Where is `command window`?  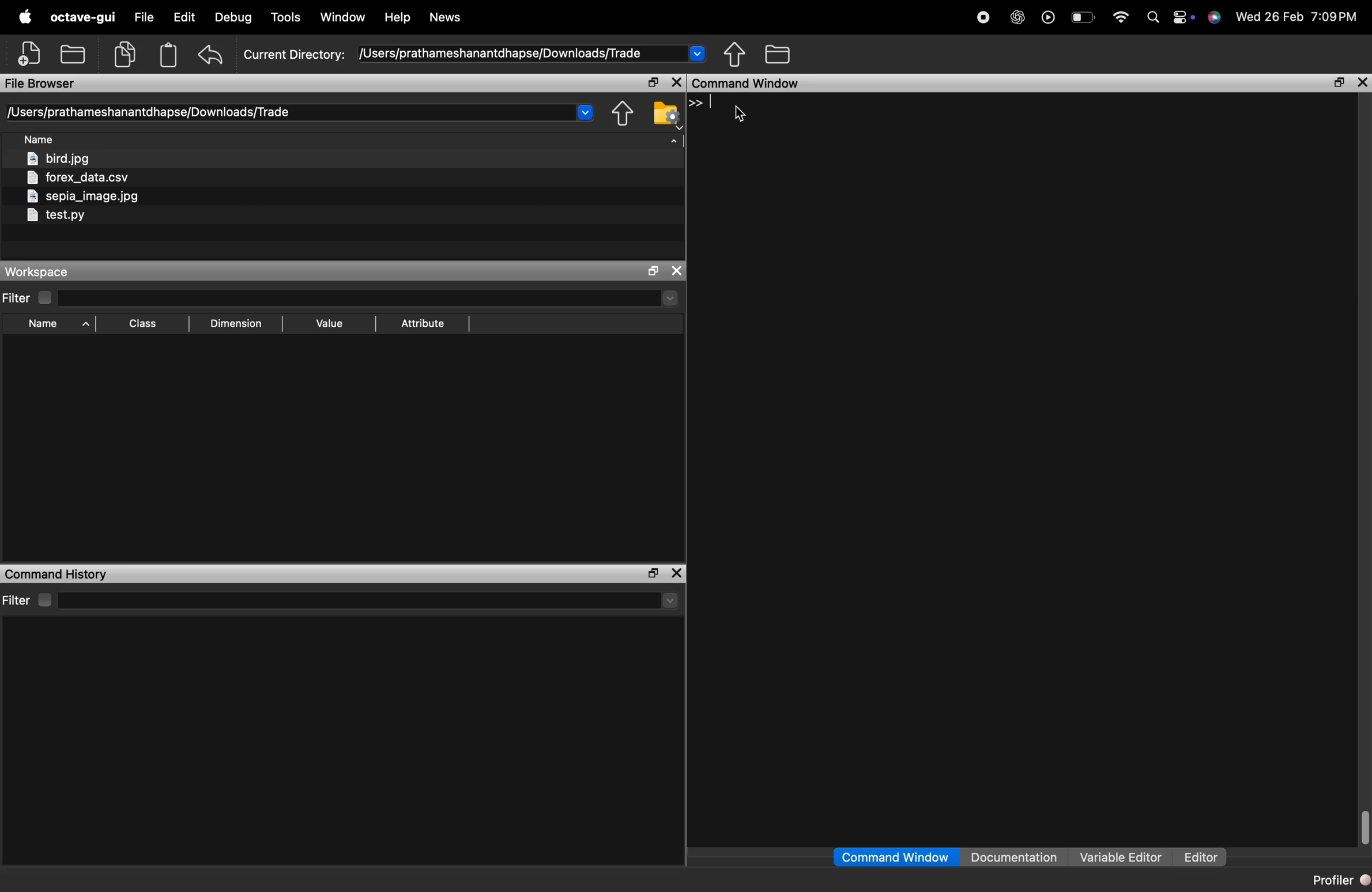 command window is located at coordinates (762, 84).